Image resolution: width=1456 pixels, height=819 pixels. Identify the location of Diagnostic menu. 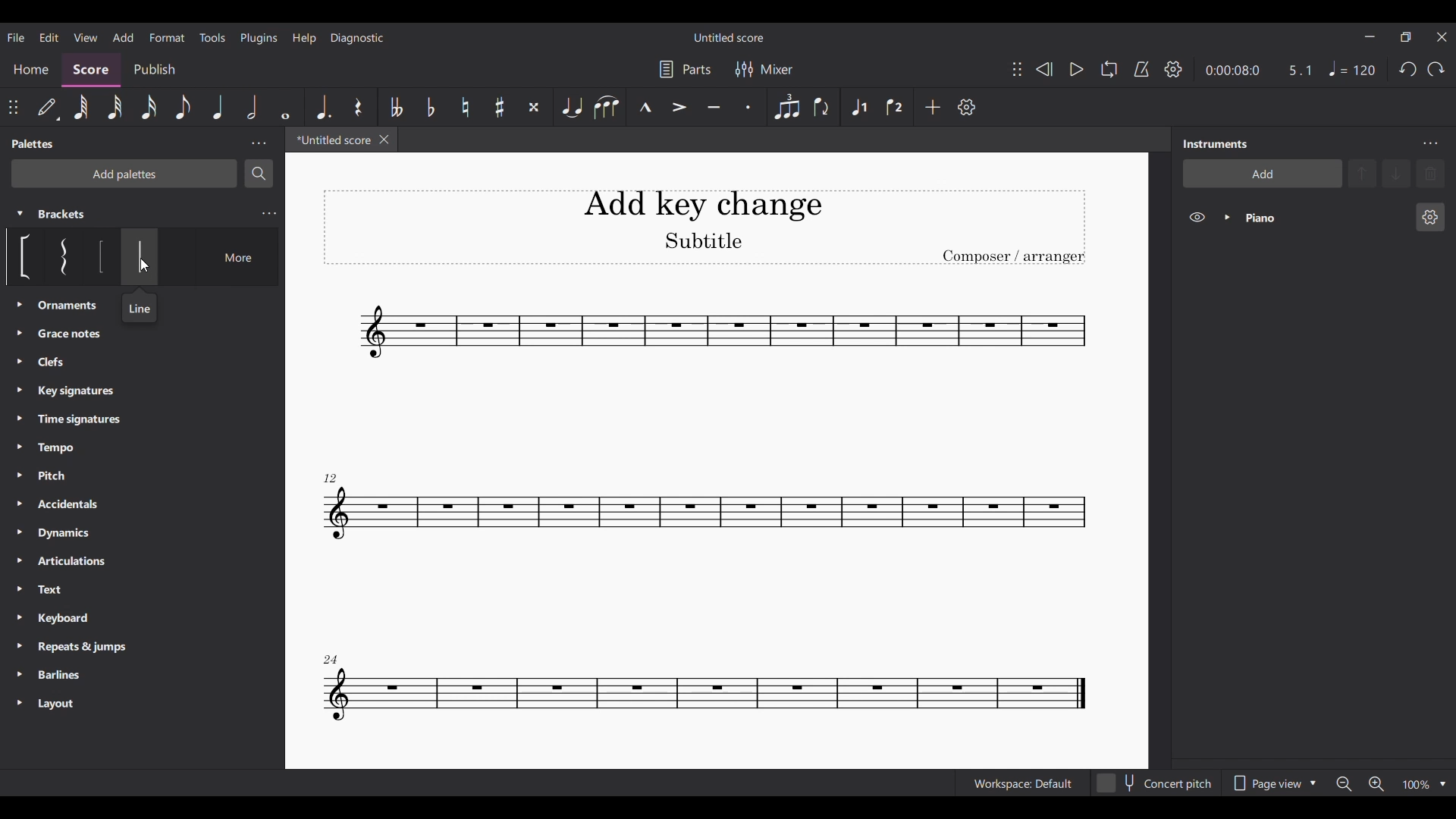
(358, 39).